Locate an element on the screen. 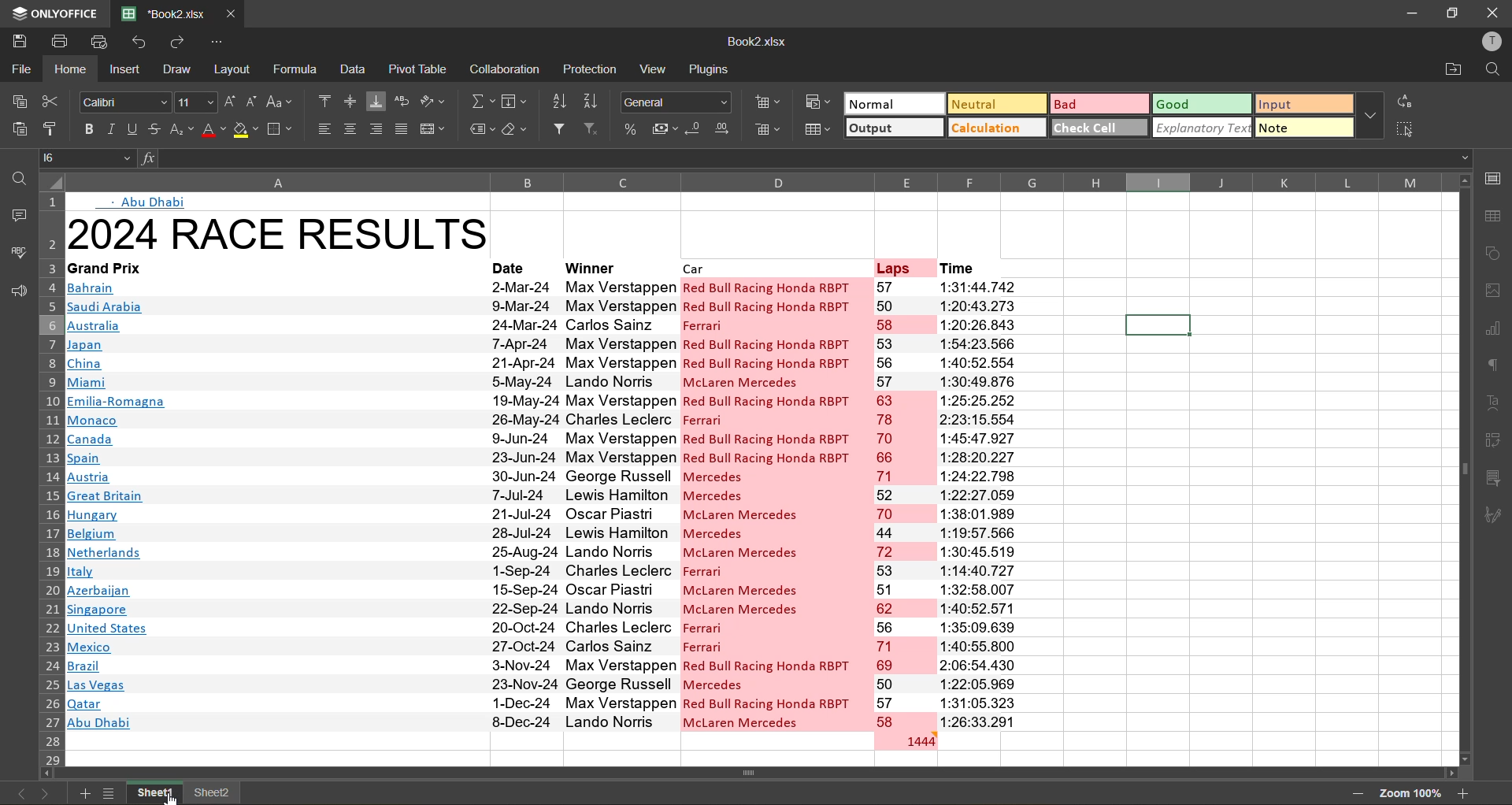 The image size is (1512, 805). selected cell is located at coordinates (1158, 326).